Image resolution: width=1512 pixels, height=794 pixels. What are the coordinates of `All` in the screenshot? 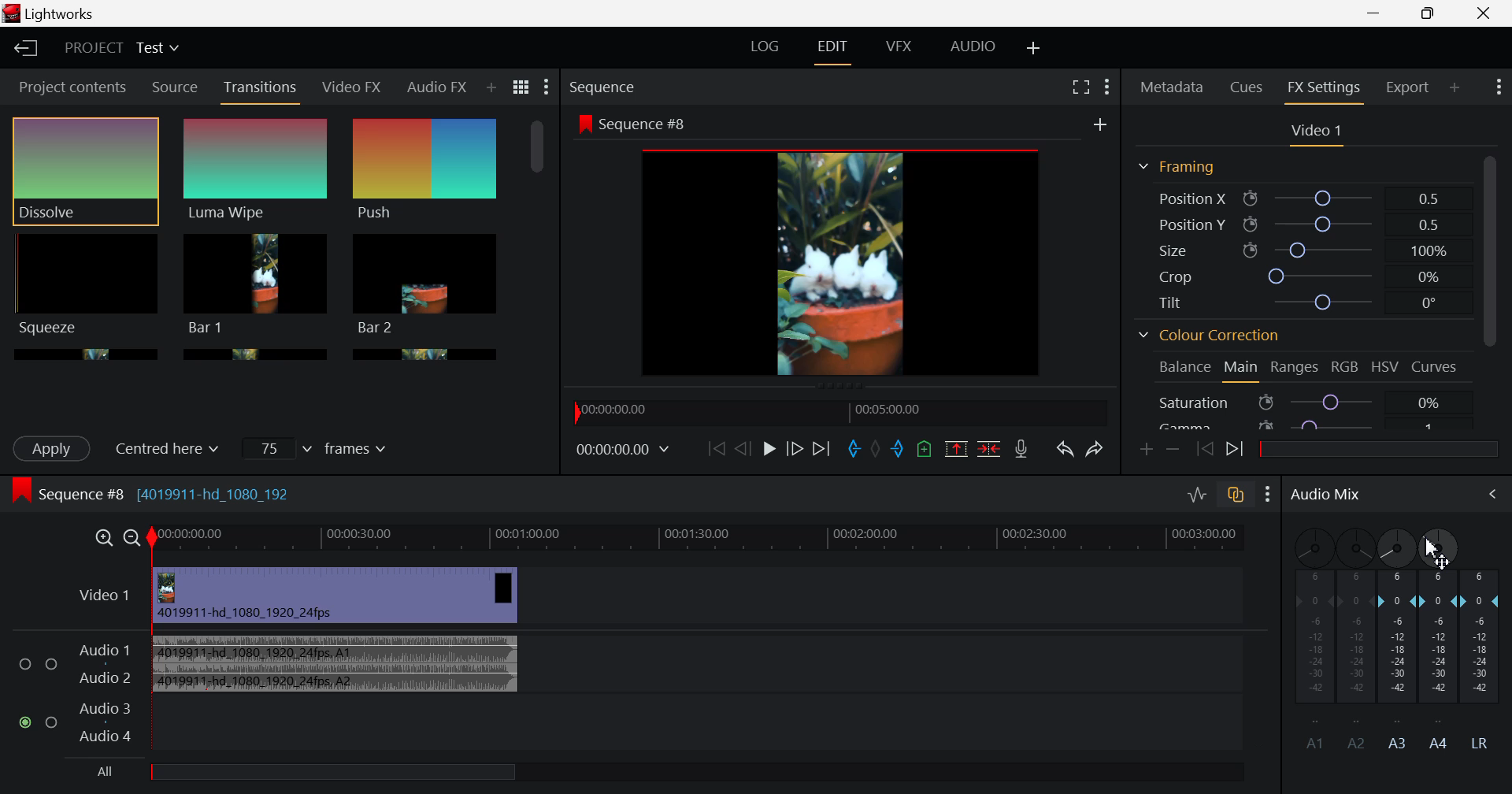 It's located at (304, 775).